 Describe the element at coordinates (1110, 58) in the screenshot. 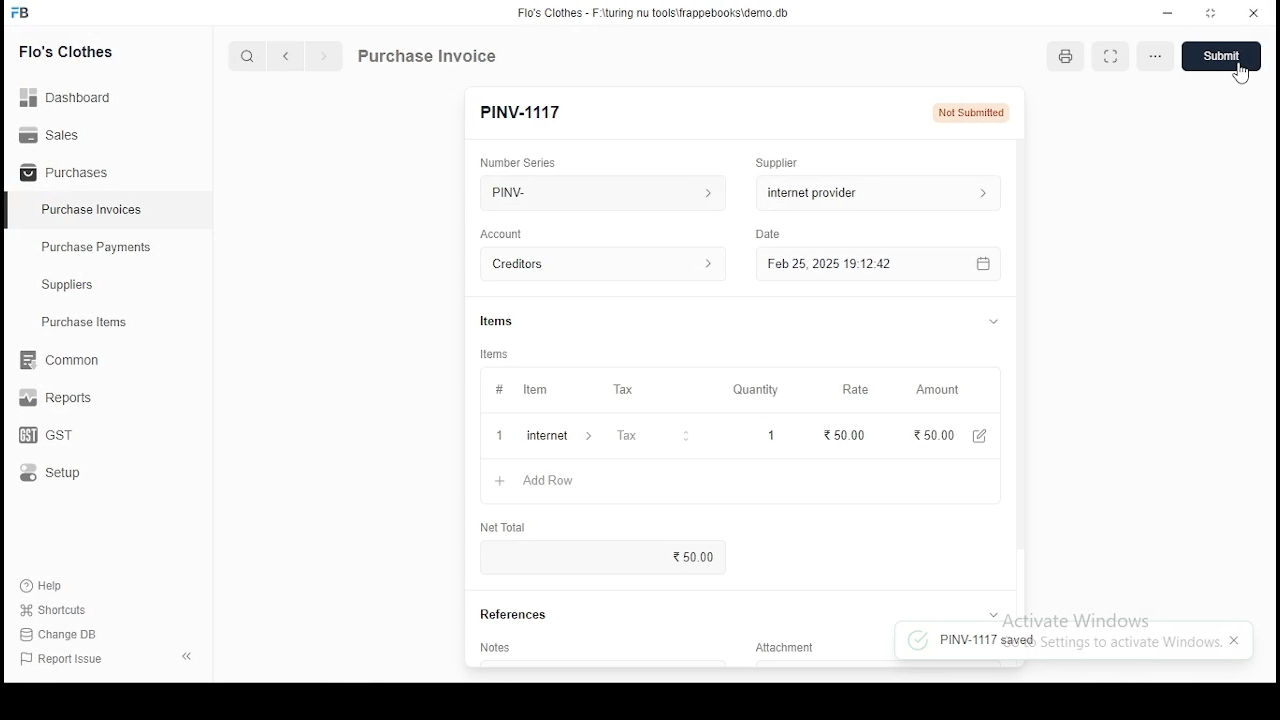

I see `toggle between form and fullscreen` at that location.